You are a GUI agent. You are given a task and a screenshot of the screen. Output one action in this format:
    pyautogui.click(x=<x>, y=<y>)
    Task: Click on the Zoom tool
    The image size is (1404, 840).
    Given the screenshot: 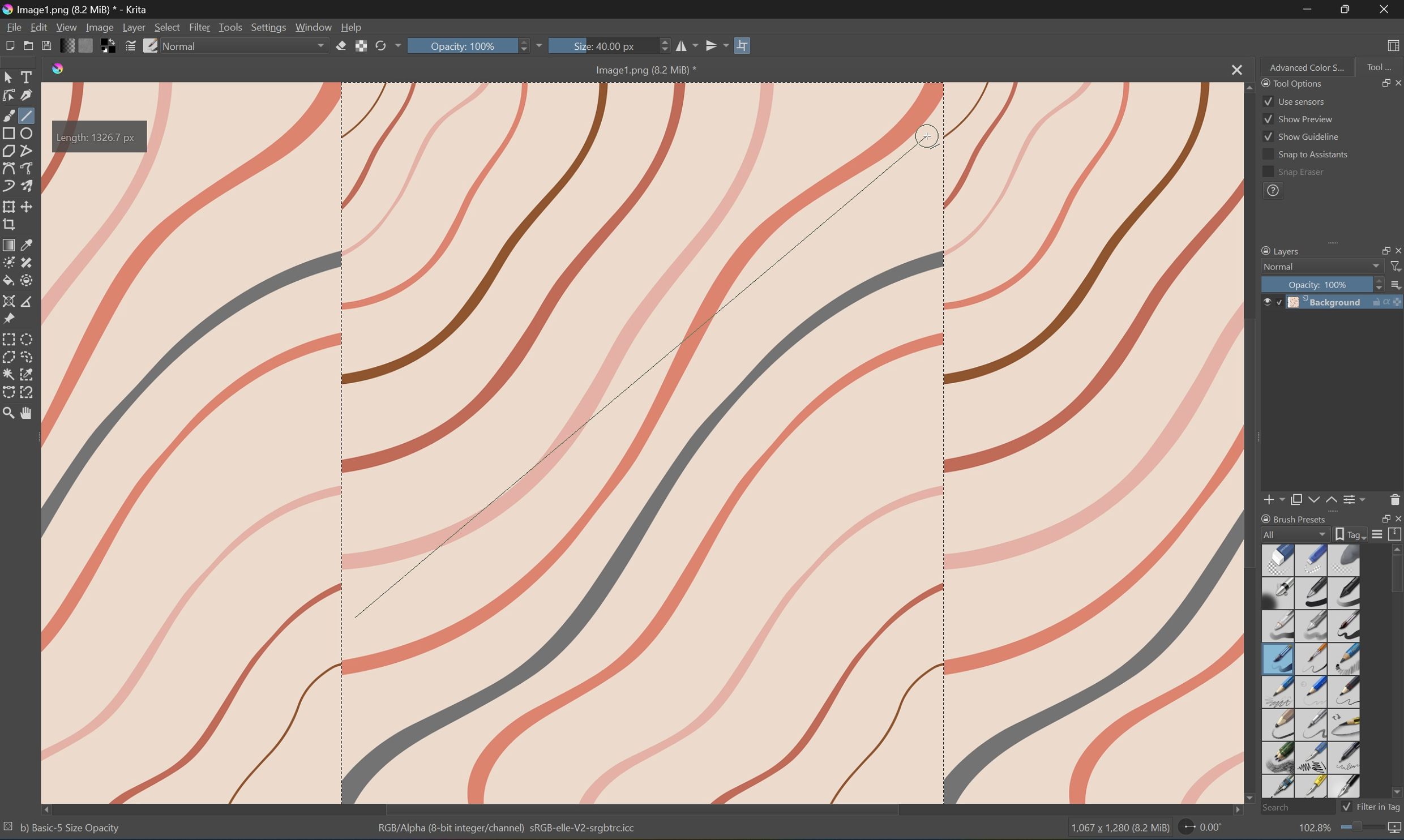 What is the action you would take?
    pyautogui.click(x=9, y=413)
    